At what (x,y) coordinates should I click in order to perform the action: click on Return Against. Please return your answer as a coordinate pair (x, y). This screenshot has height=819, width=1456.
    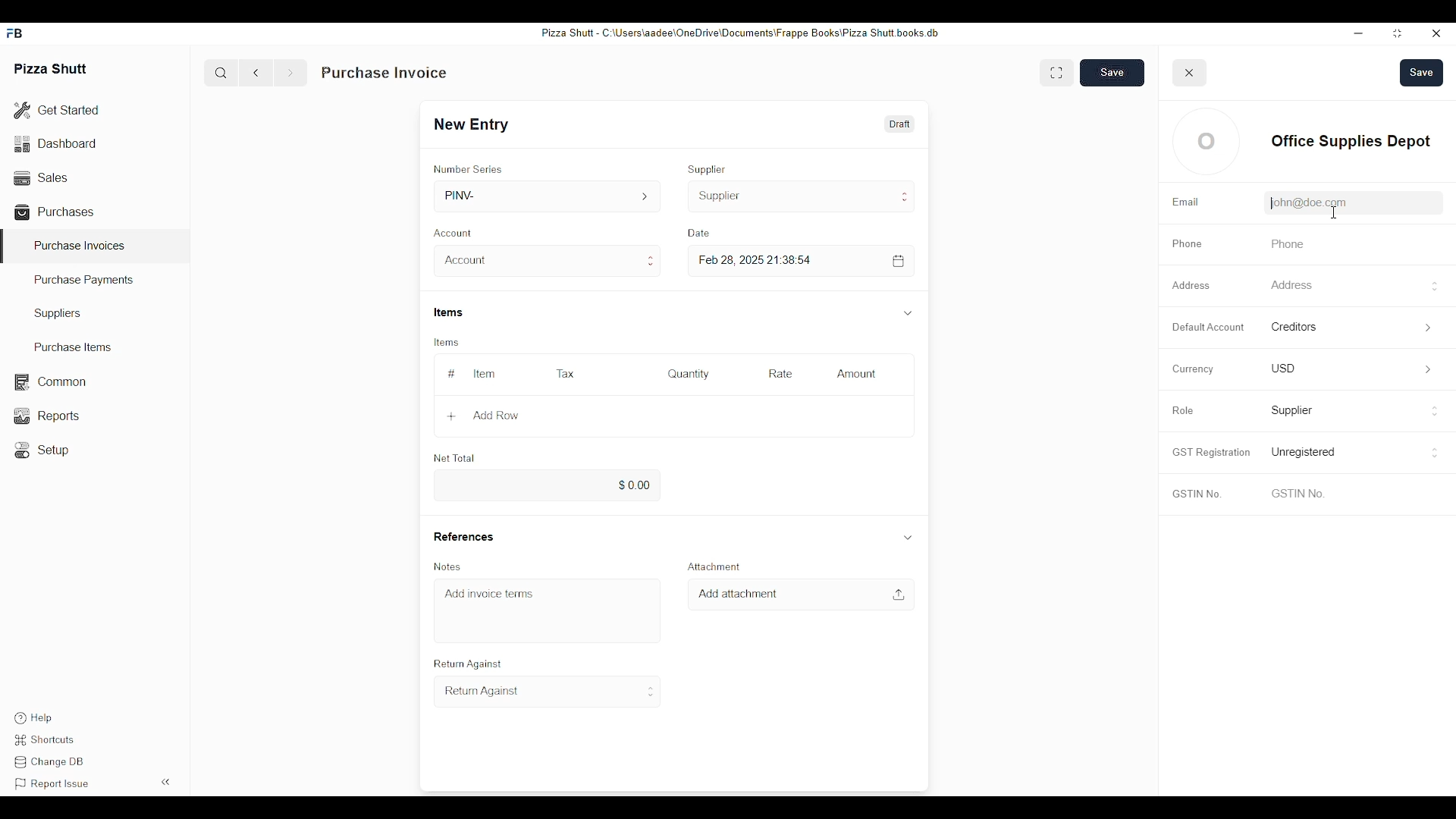
    Looking at the image, I should click on (466, 664).